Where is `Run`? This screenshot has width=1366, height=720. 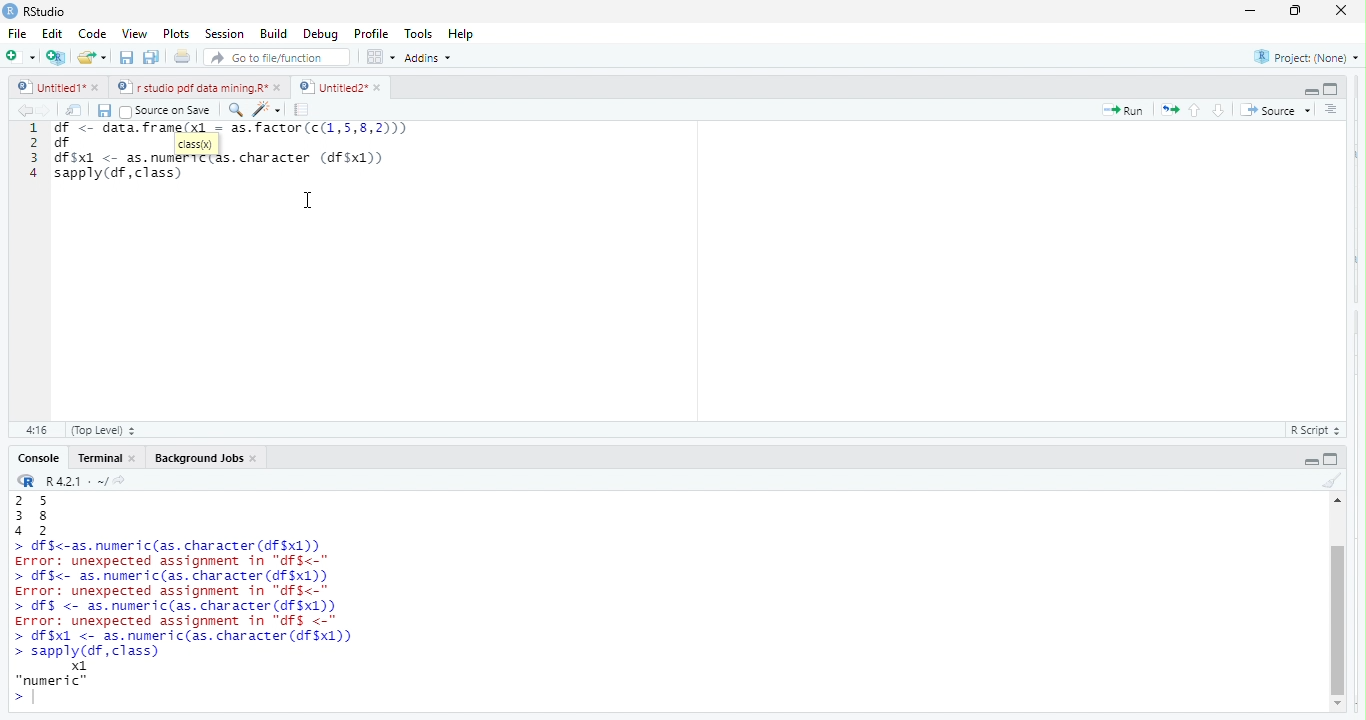
Run is located at coordinates (1121, 112).